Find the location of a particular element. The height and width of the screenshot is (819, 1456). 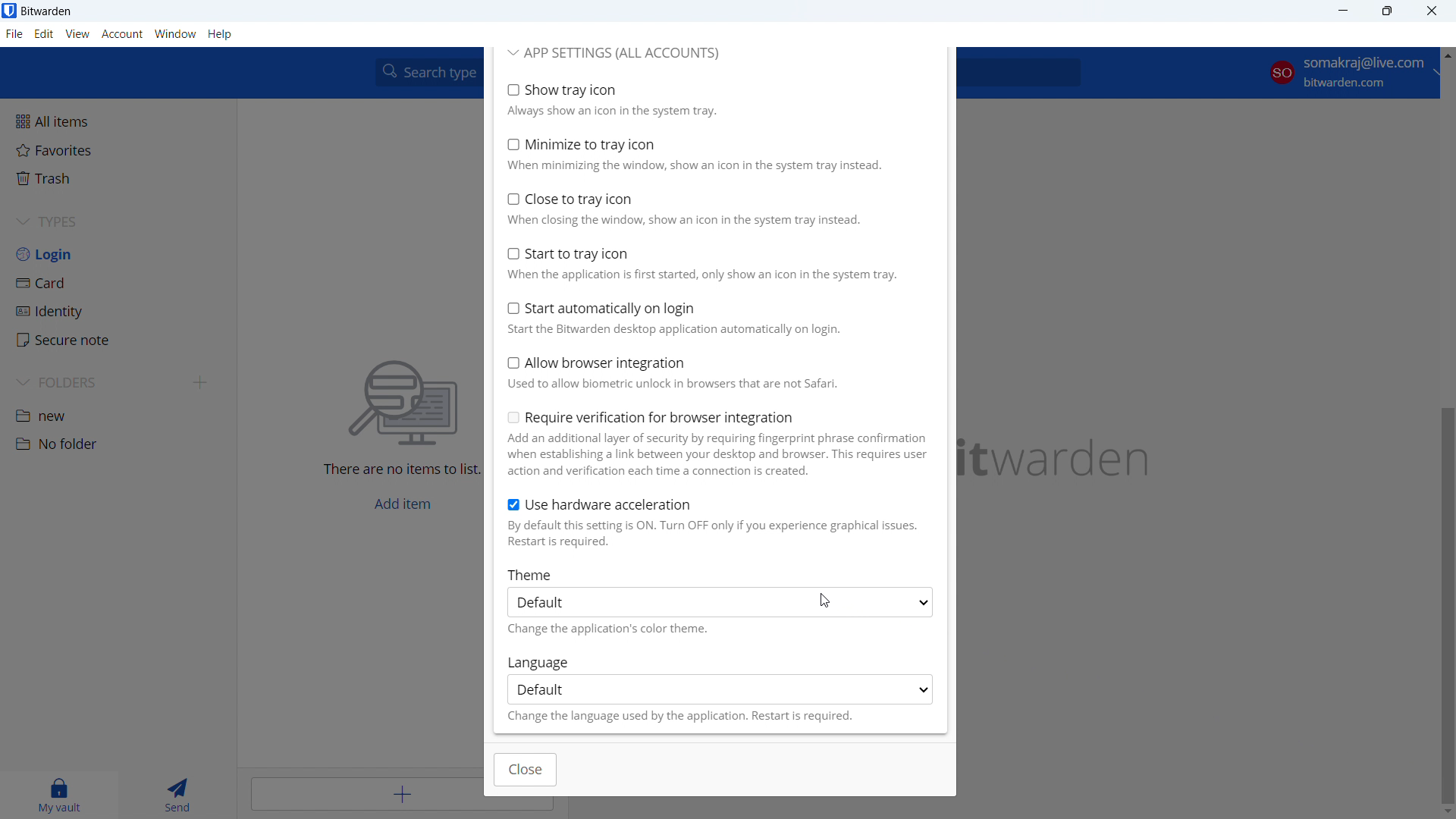

Theme is located at coordinates (533, 574).